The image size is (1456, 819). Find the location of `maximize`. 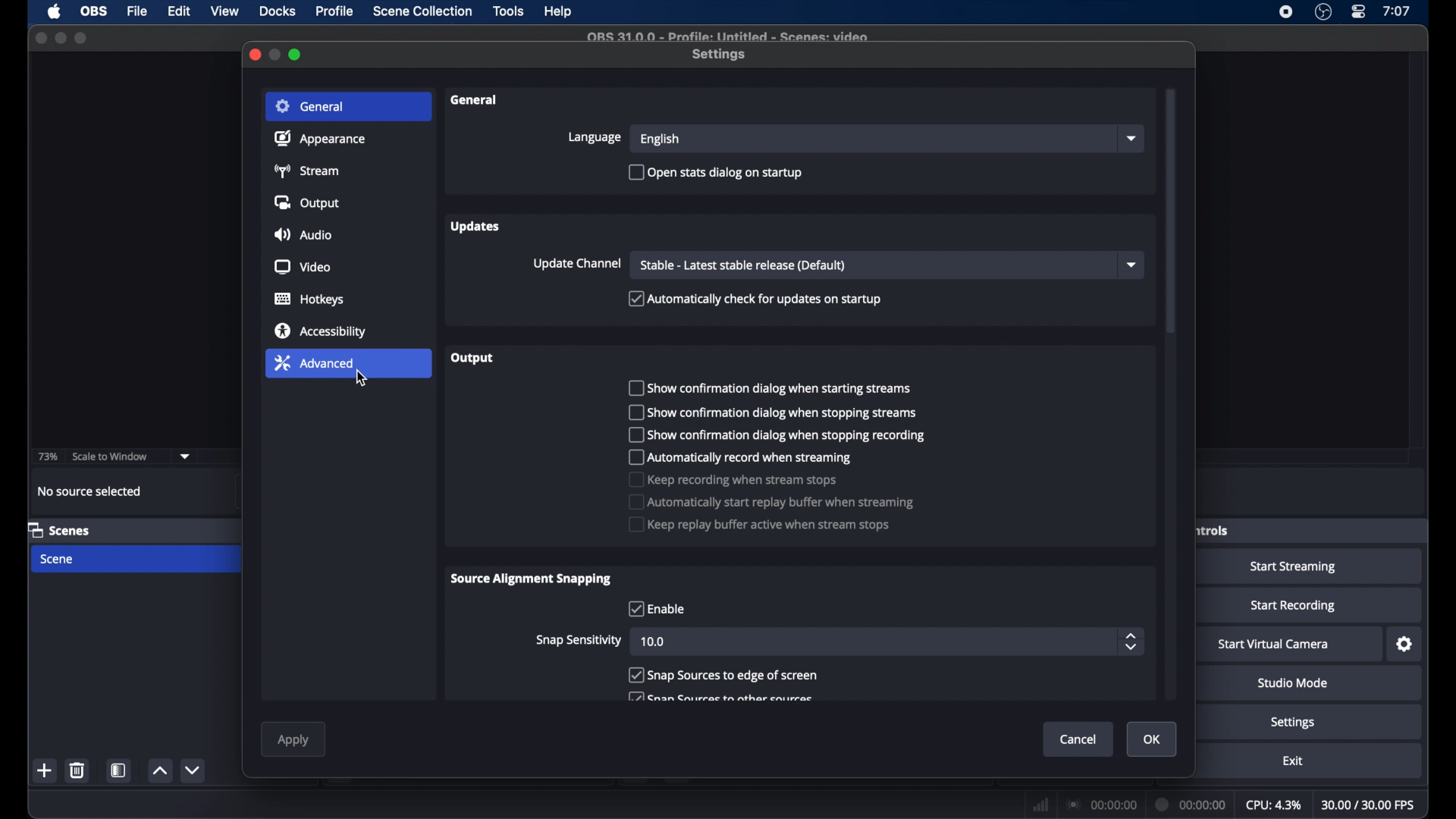

maximize is located at coordinates (296, 55).